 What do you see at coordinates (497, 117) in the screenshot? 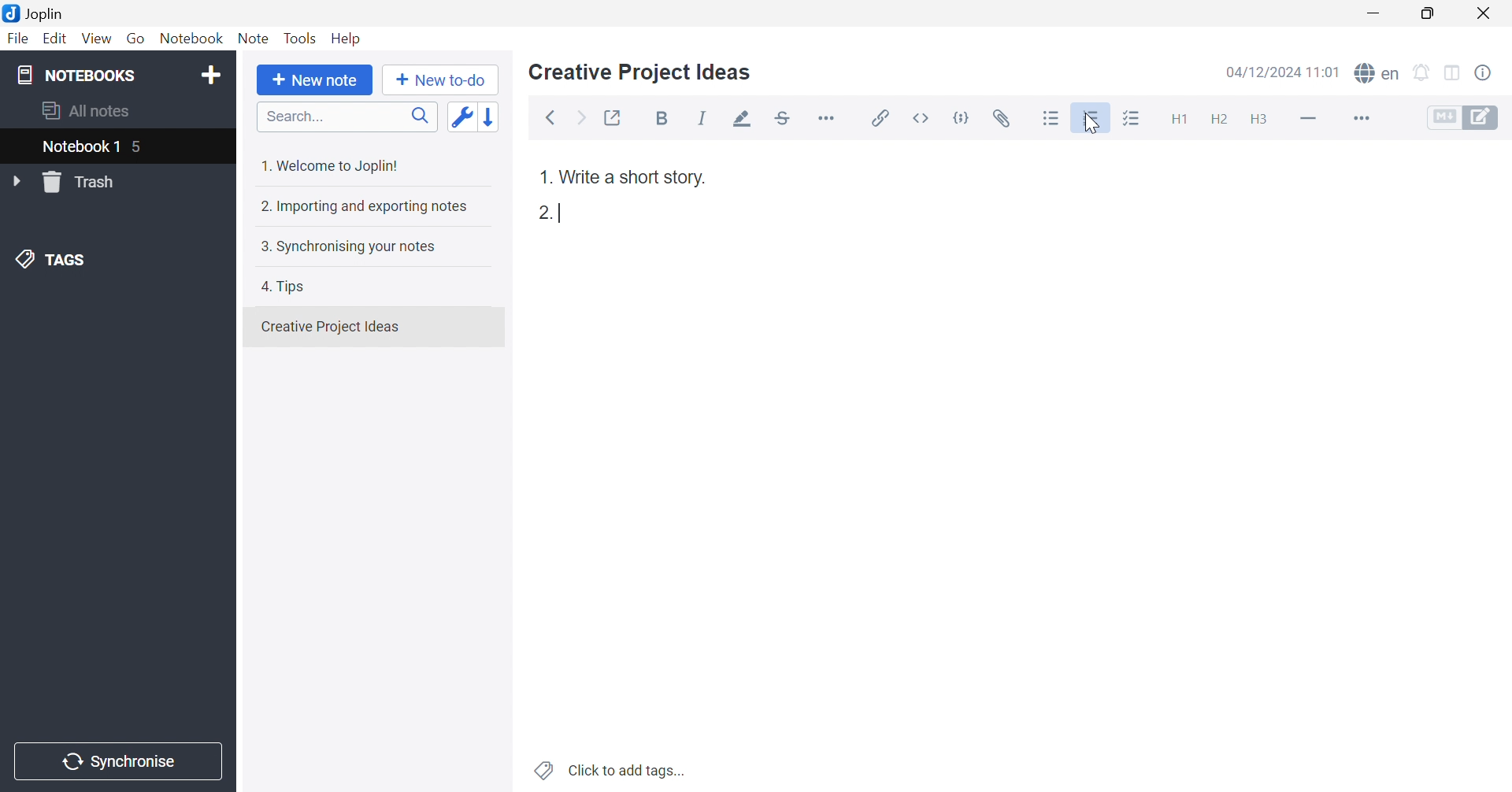
I see `Reverse sort order` at bounding box center [497, 117].